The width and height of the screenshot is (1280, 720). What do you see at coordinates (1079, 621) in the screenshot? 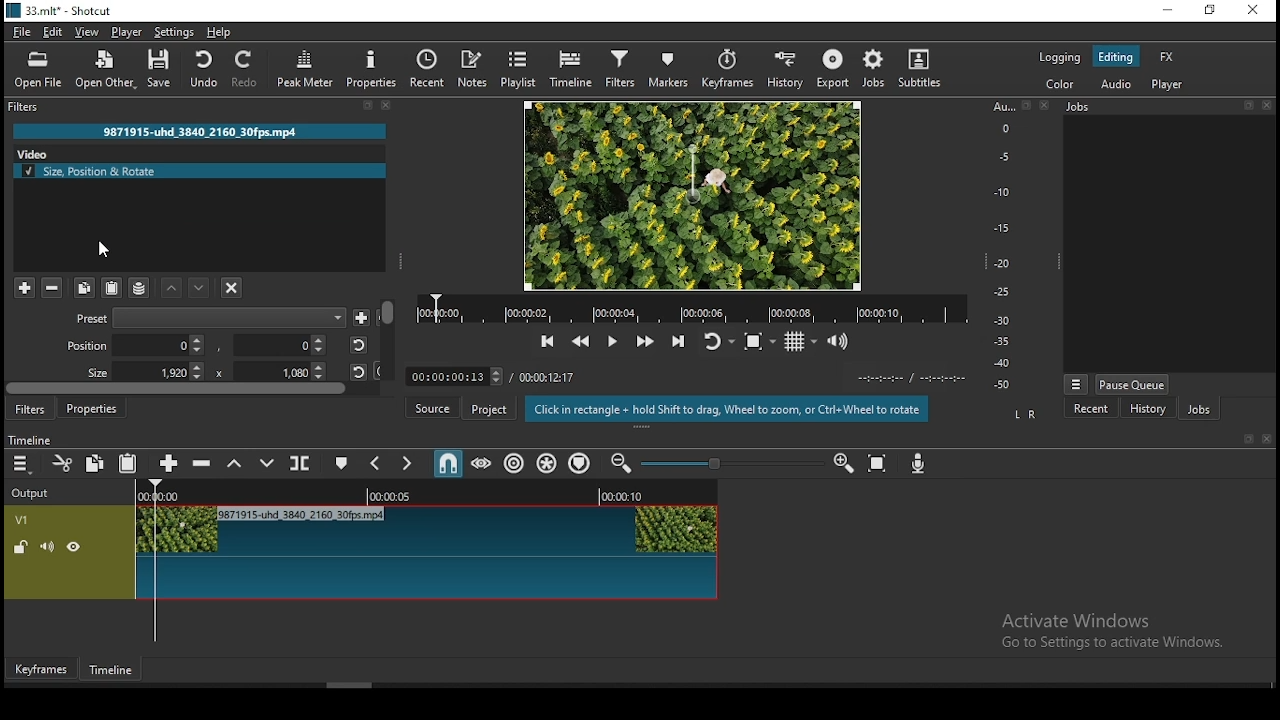
I see `Activate Windows` at bounding box center [1079, 621].